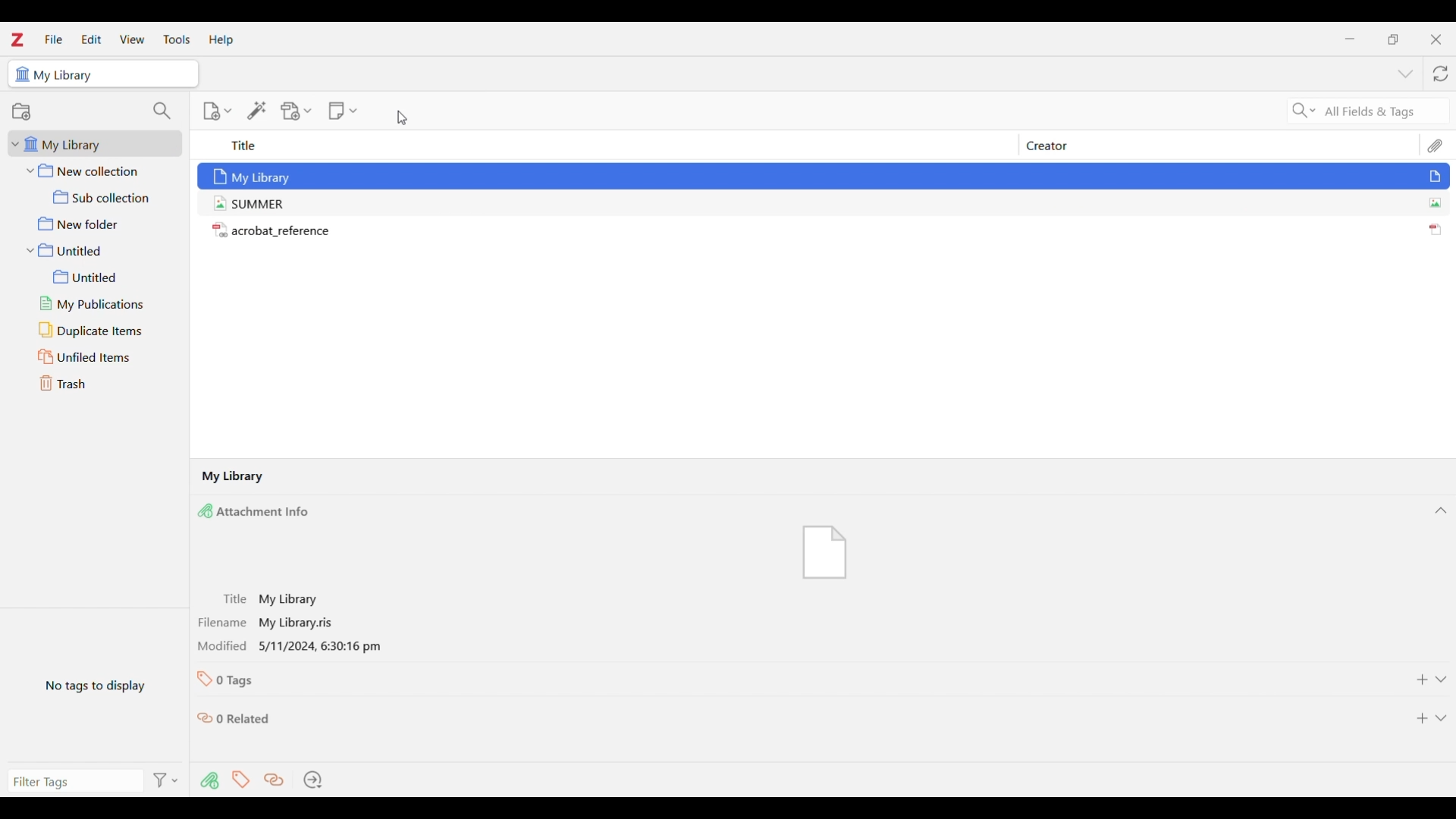 The image size is (1456, 819). I want to click on PDF Icon, so click(1441, 225).